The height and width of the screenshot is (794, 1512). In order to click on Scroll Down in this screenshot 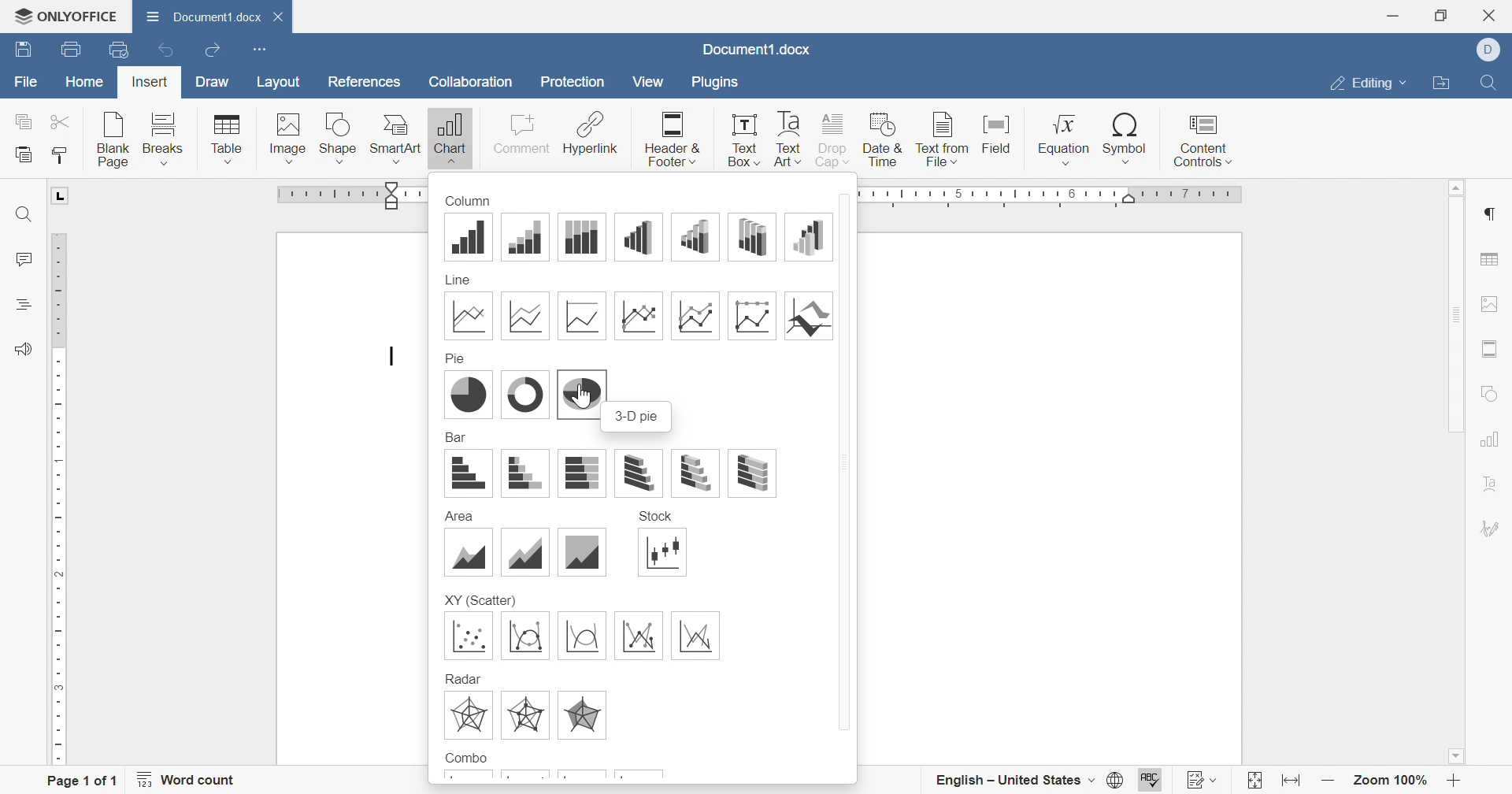, I will do `click(1455, 755)`.